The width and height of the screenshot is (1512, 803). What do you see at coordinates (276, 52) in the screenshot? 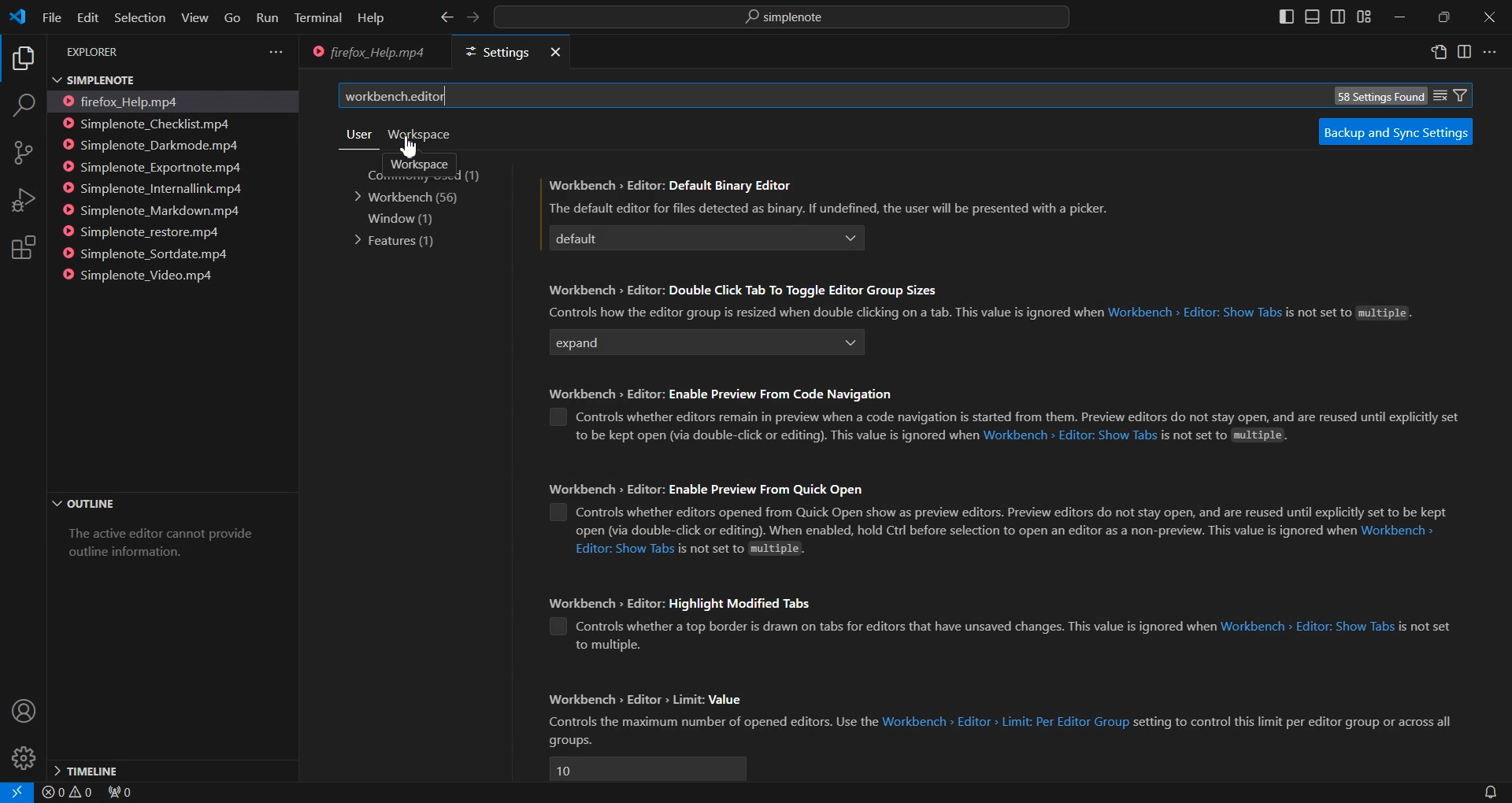
I see `View and more actions` at bounding box center [276, 52].